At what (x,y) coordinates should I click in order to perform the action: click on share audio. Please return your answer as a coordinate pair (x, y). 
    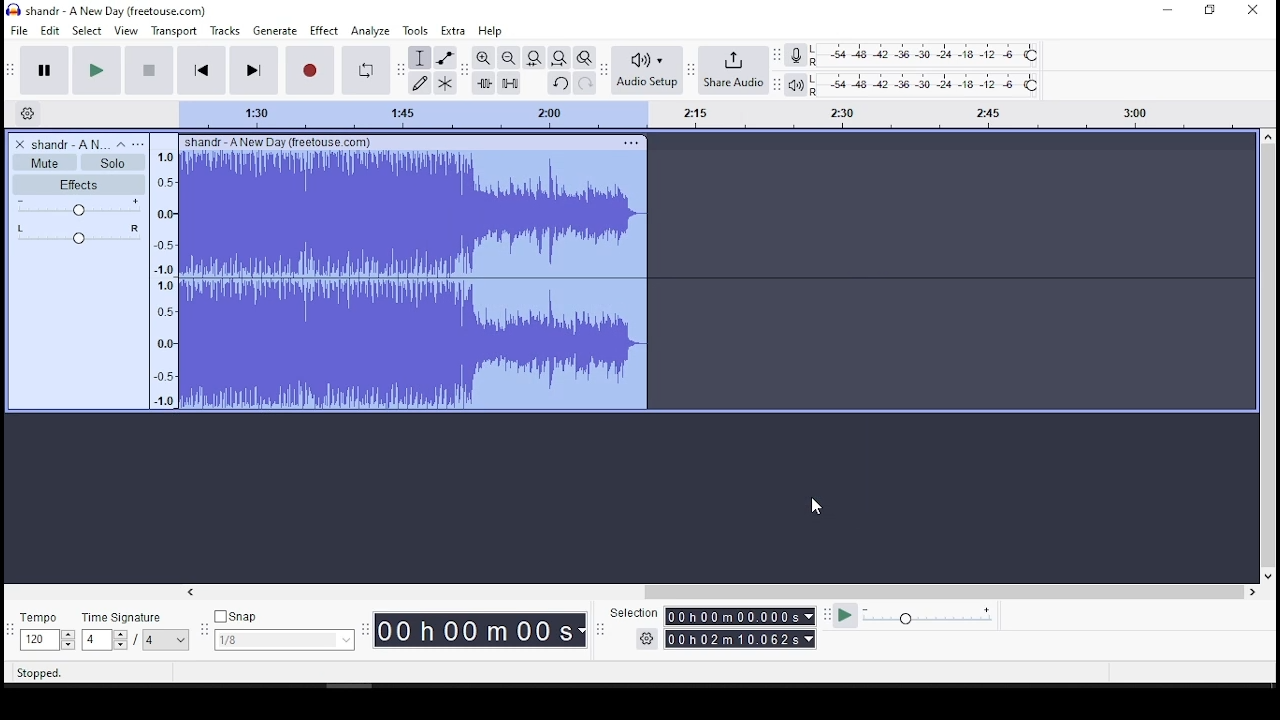
    Looking at the image, I should click on (733, 71).